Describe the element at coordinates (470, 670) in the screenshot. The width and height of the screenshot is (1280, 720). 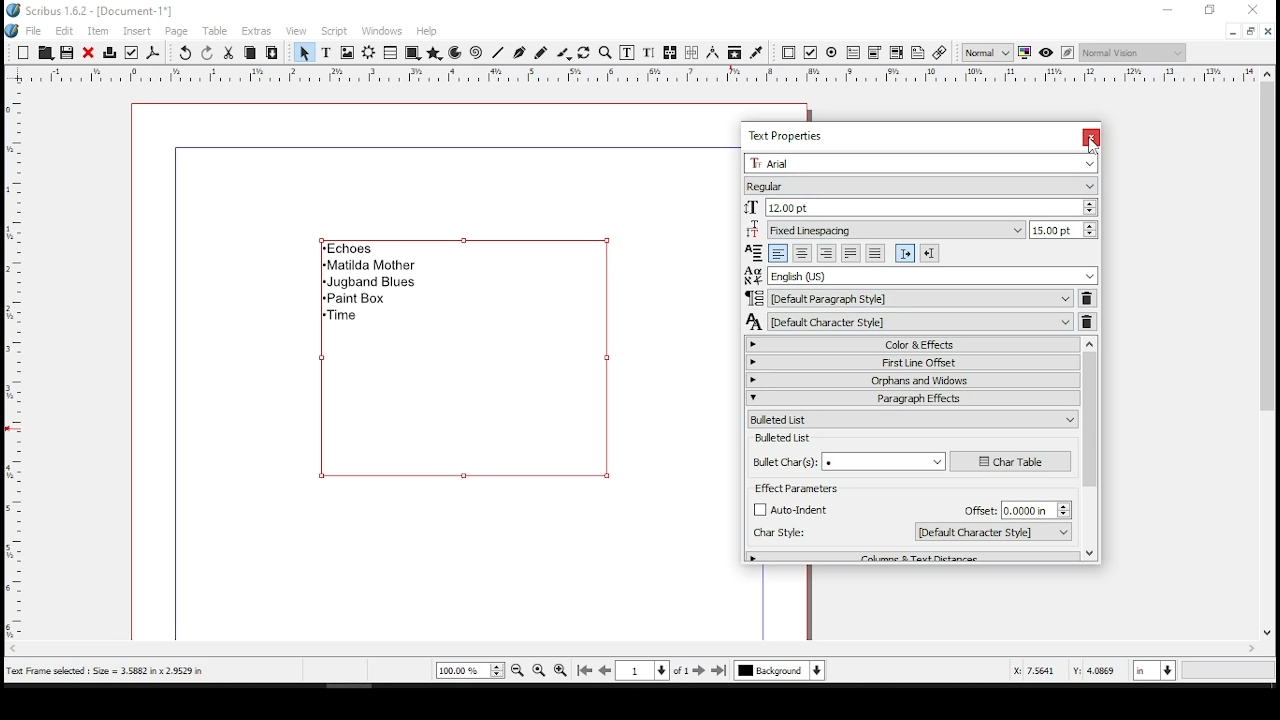
I see `current zoom level` at that location.